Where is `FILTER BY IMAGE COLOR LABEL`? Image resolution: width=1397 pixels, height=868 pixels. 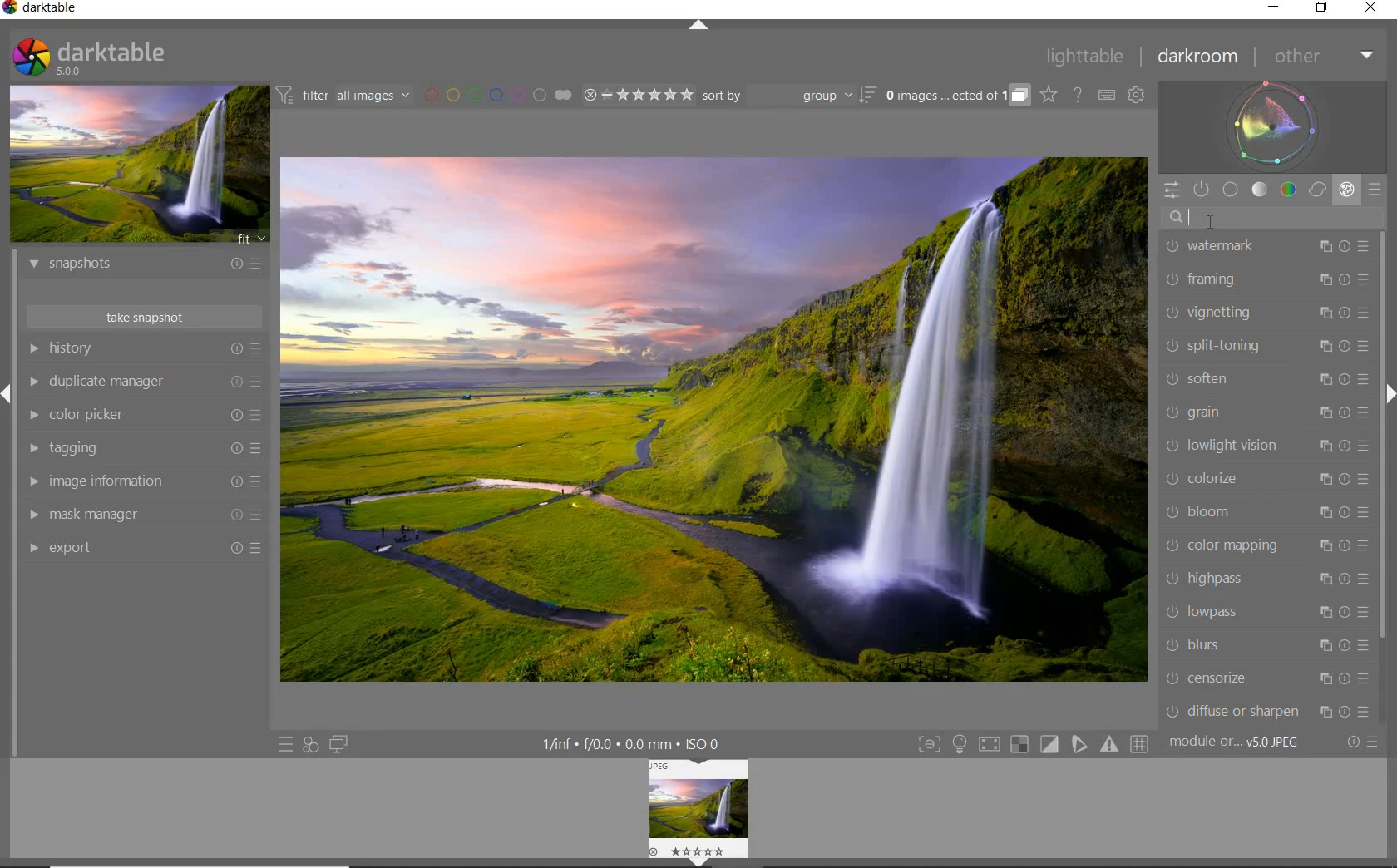 FILTER BY IMAGE COLOR LABEL is located at coordinates (499, 96).